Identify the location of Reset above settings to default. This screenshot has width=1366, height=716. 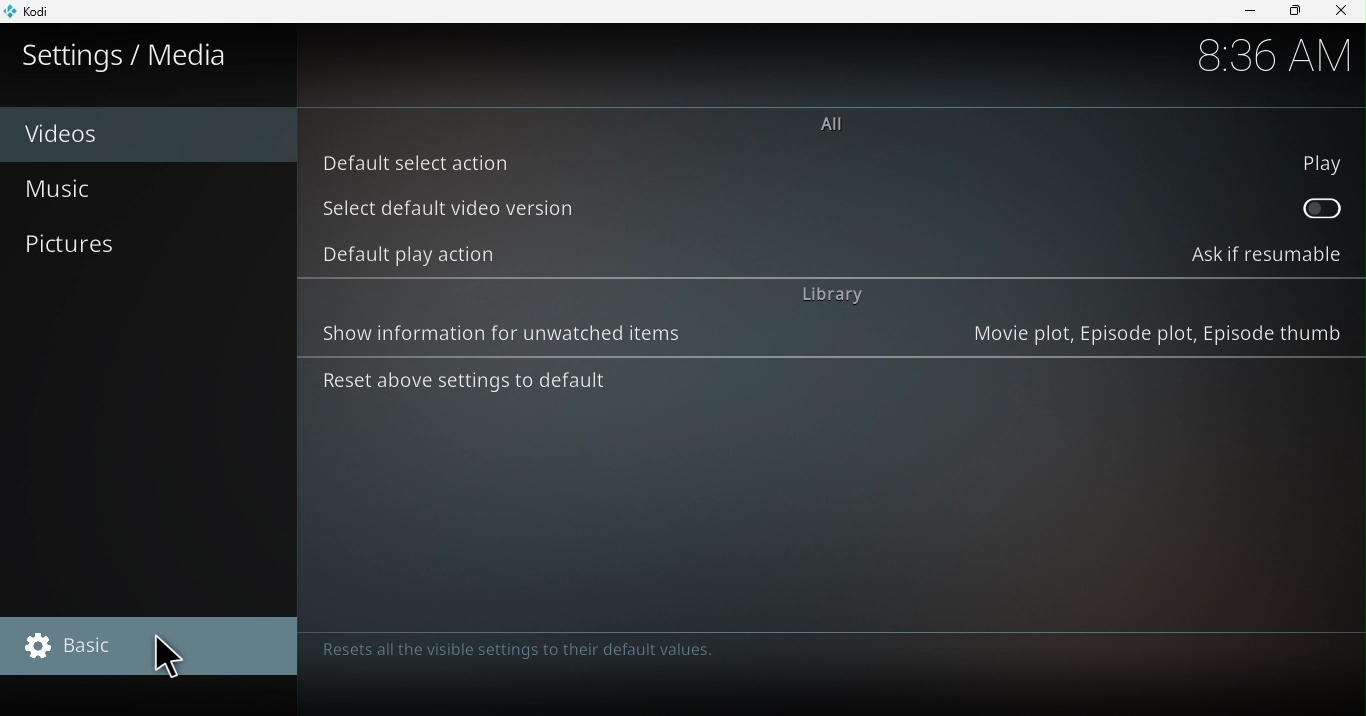
(463, 387).